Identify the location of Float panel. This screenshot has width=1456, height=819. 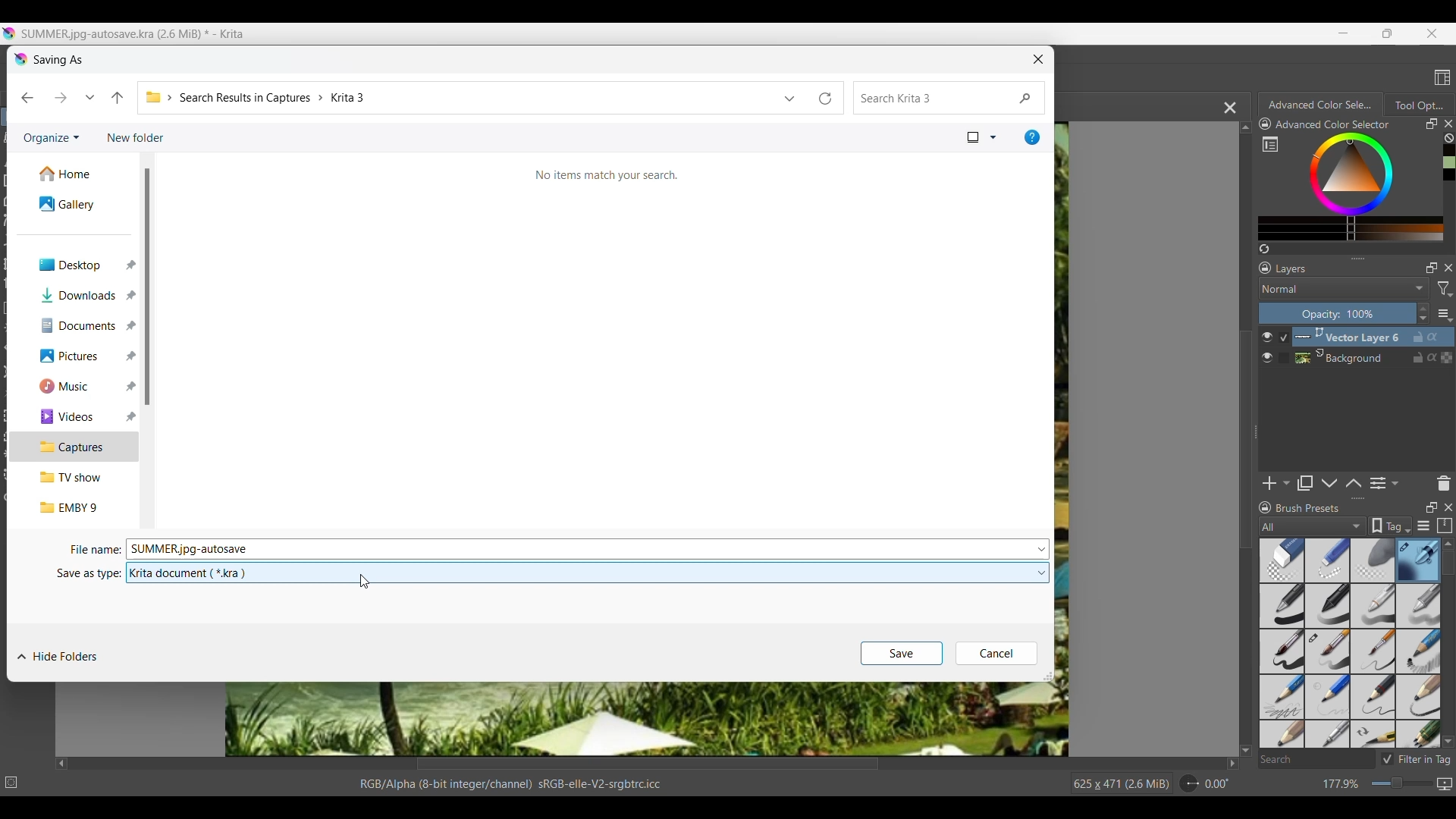
(1431, 124).